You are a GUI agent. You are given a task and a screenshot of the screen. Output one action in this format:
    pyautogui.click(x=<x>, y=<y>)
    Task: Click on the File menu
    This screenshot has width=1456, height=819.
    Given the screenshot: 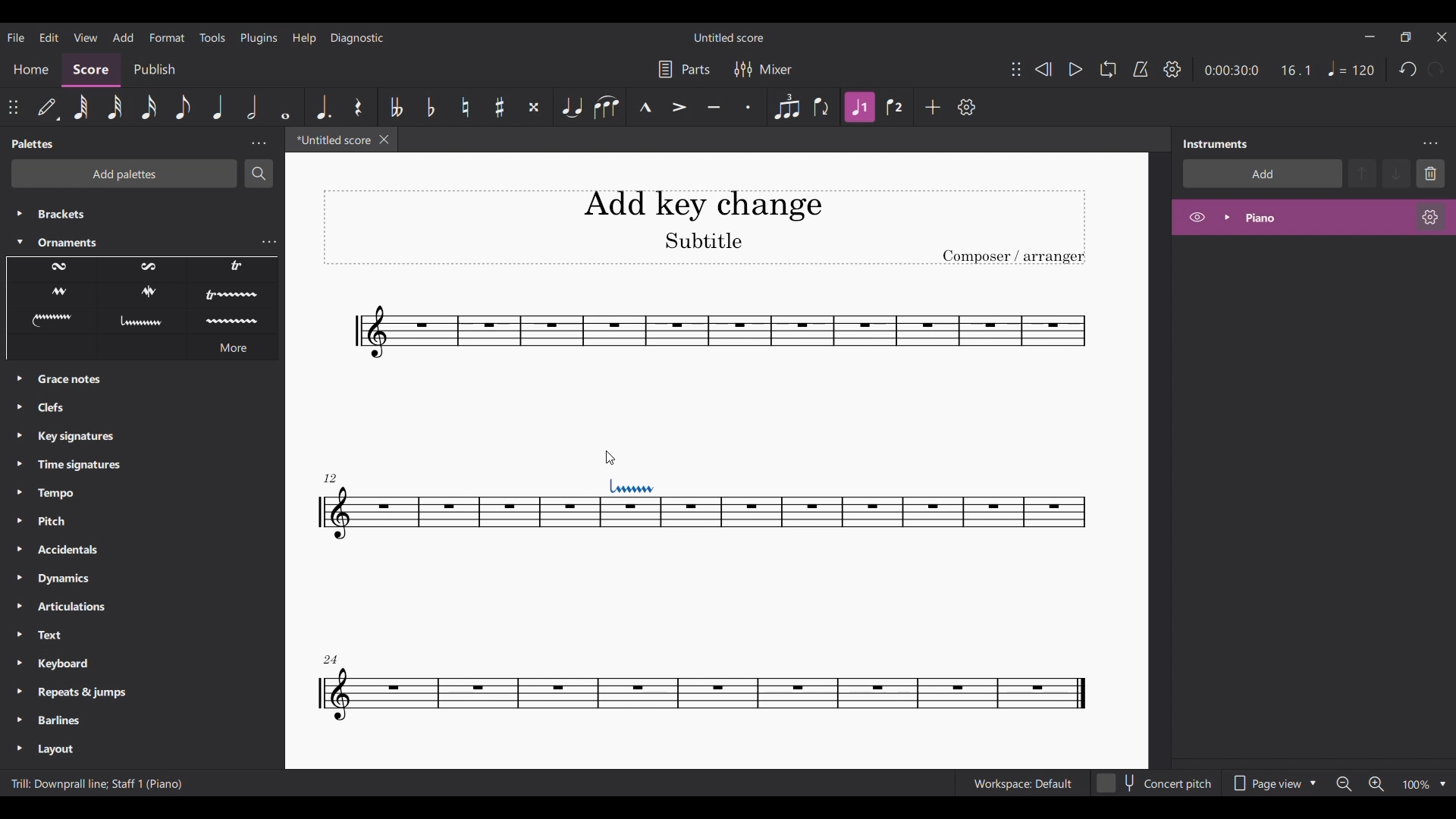 What is the action you would take?
    pyautogui.click(x=16, y=36)
    